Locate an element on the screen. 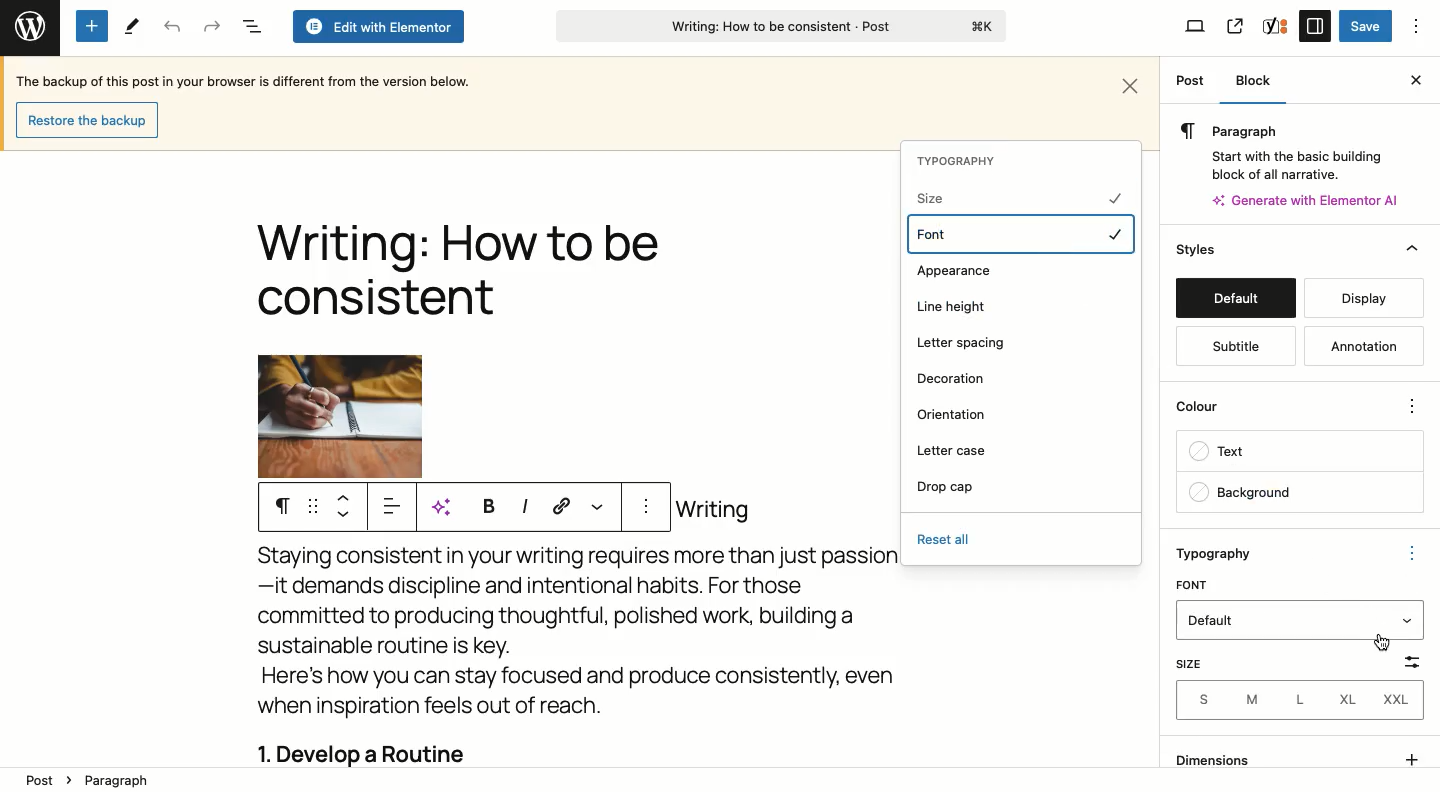 Image resolution: width=1440 pixels, height=792 pixels. AI is located at coordinates (448, 507).